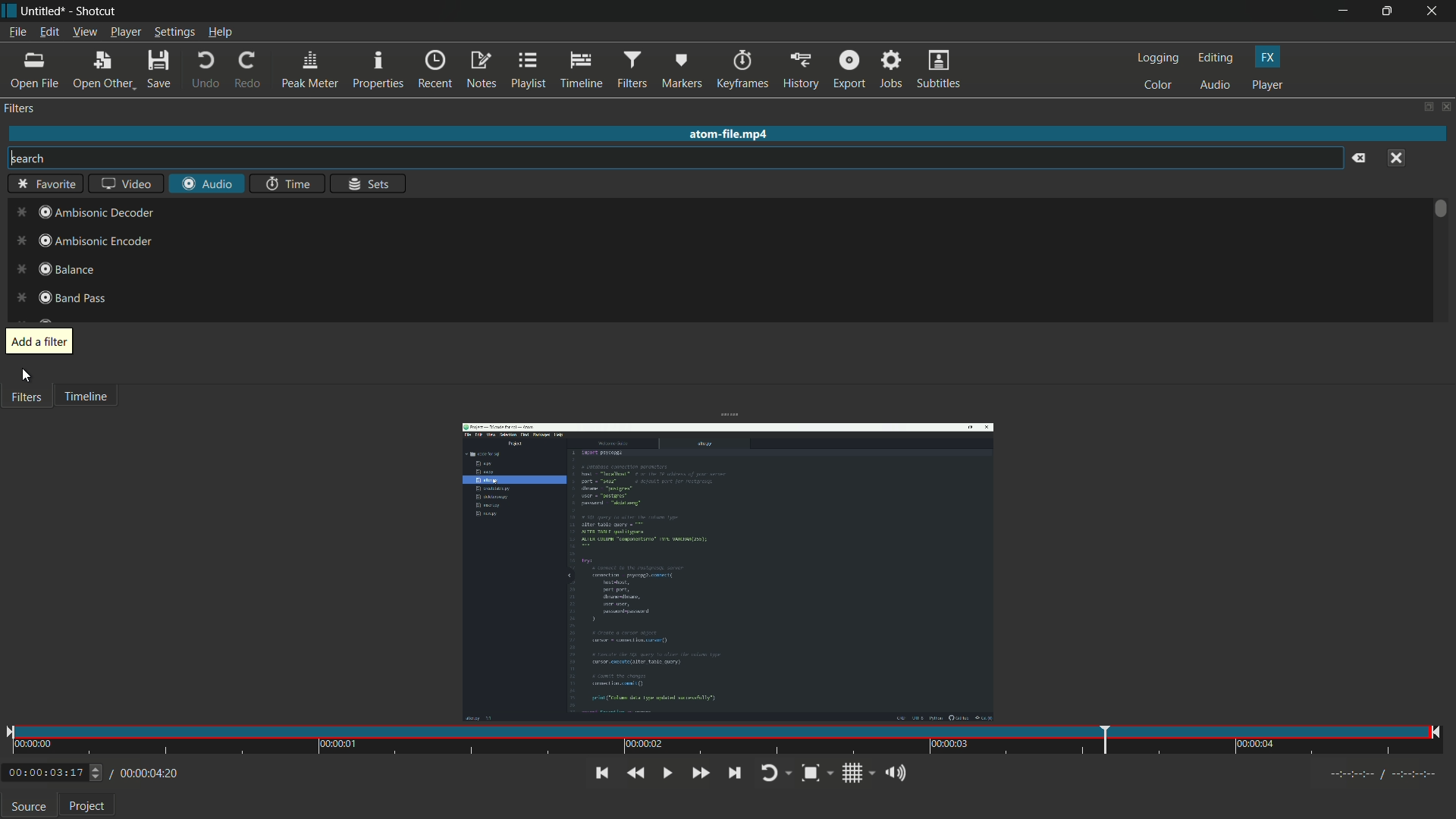  Describe the element at coordinates (97, 11) in the screenshot. I see `shotcut` at that location.